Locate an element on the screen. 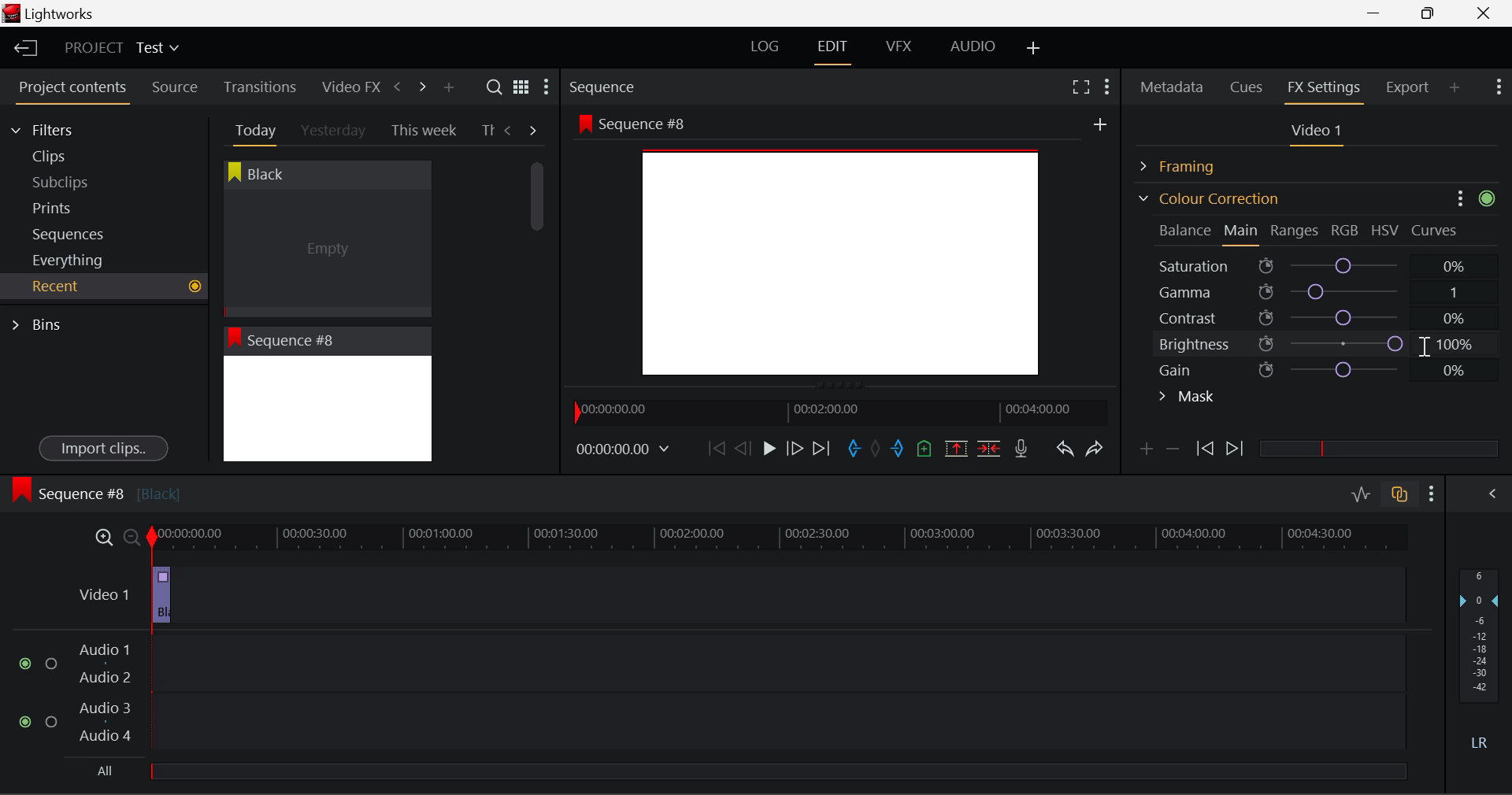 The height and width of the screenshot is (795, 1512). All is located at coordinates (106, 771).